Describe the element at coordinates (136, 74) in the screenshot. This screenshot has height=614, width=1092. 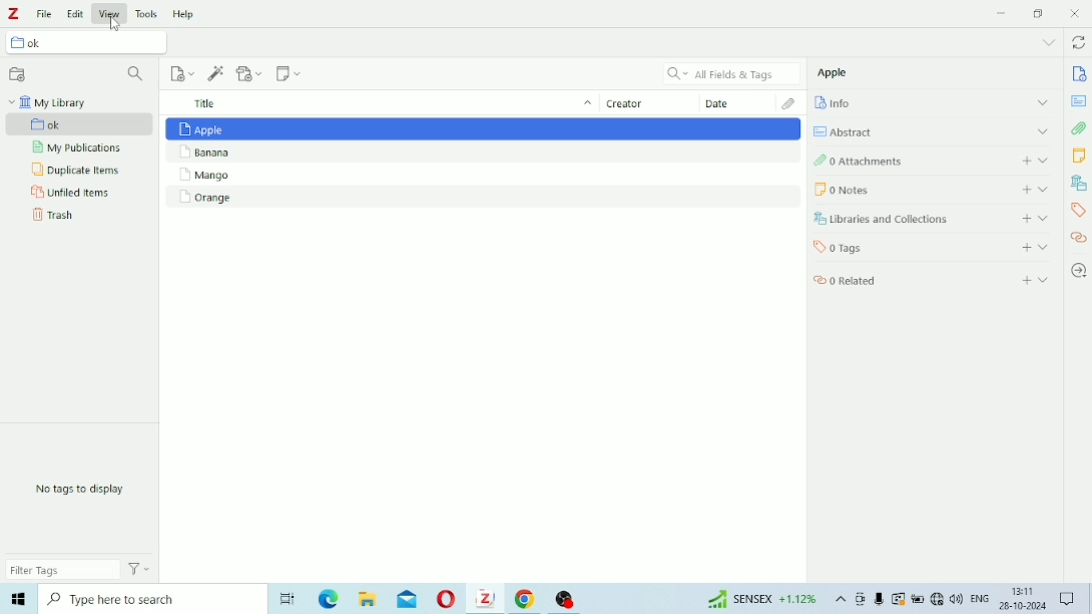
I see `Filter connections` at that location.